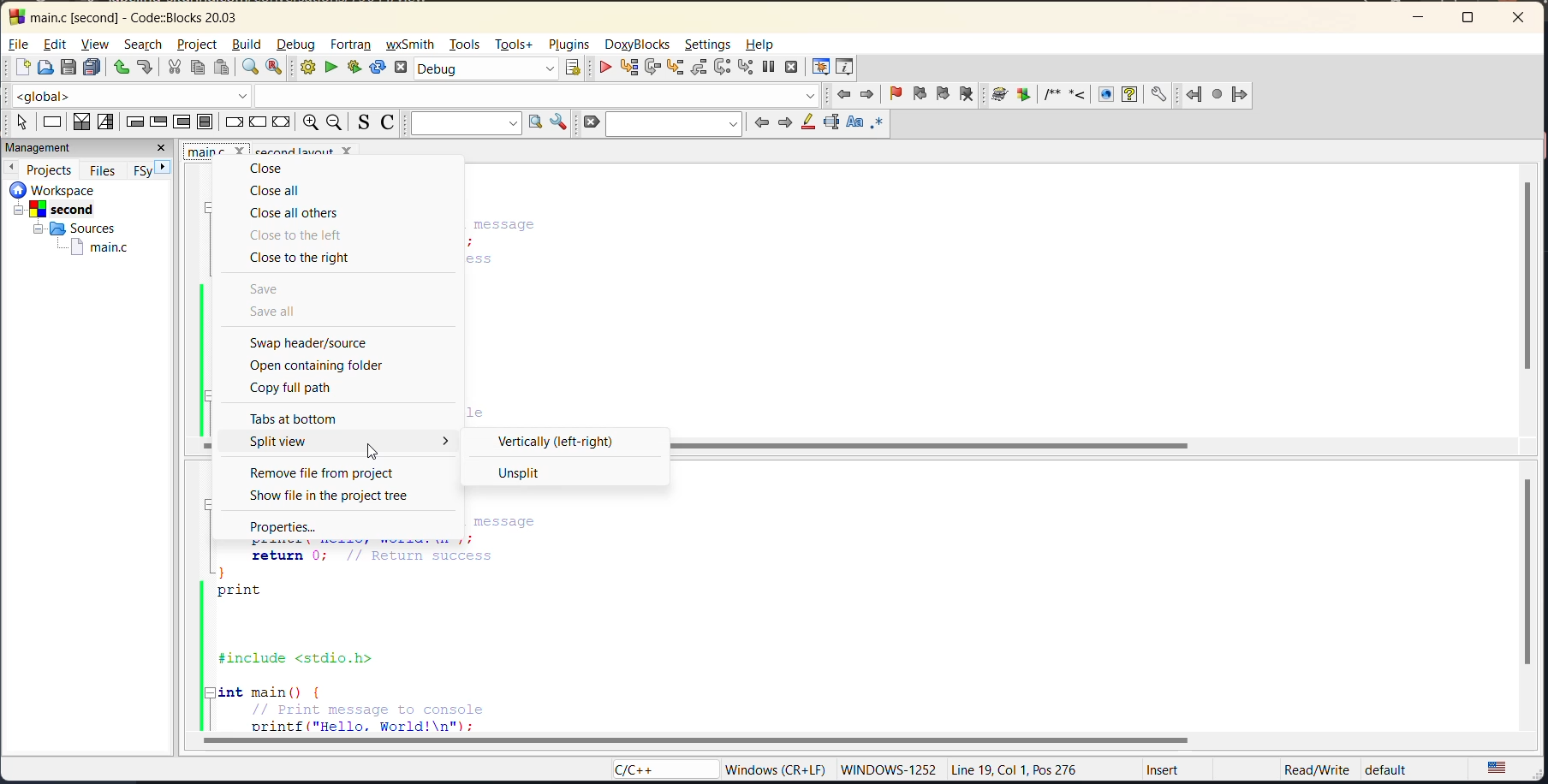 The image size is (1548, 784). What do you see at coordinates (1504, 767) in the screenshot?
I see `text language` at bounding box center [1504, 767].